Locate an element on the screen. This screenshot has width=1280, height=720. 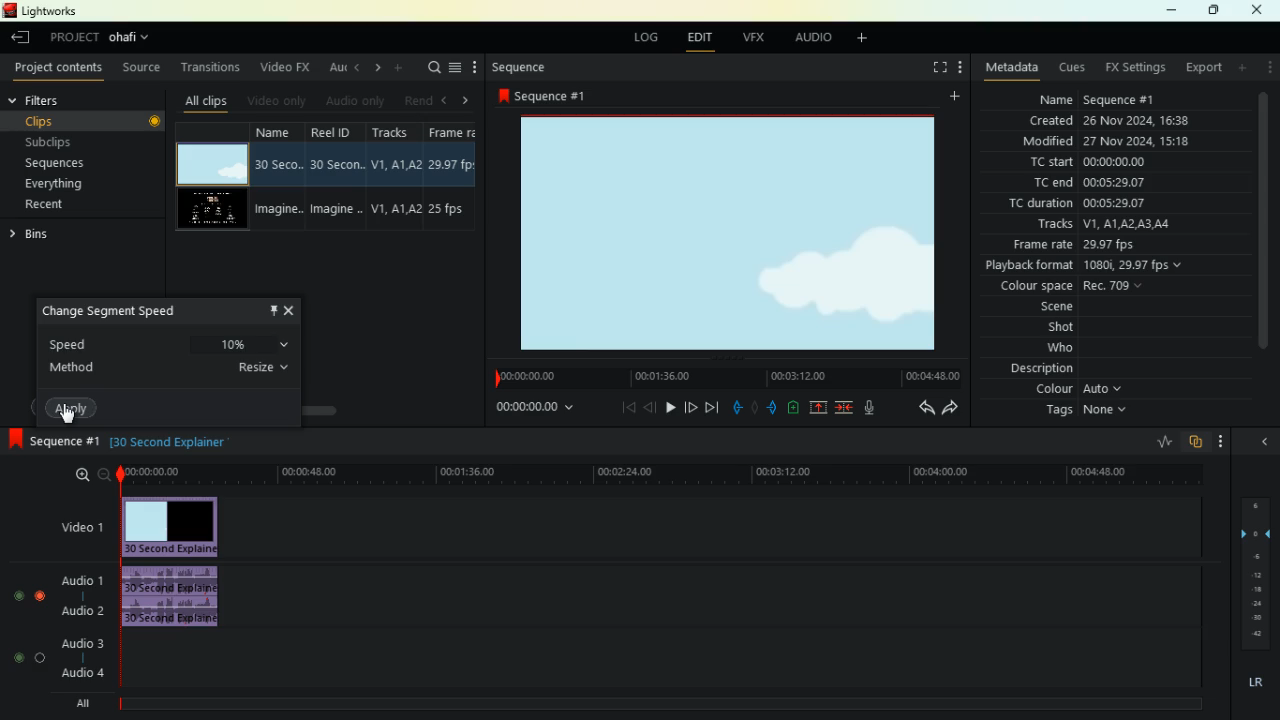
close is located at coordinates (1265, 440).